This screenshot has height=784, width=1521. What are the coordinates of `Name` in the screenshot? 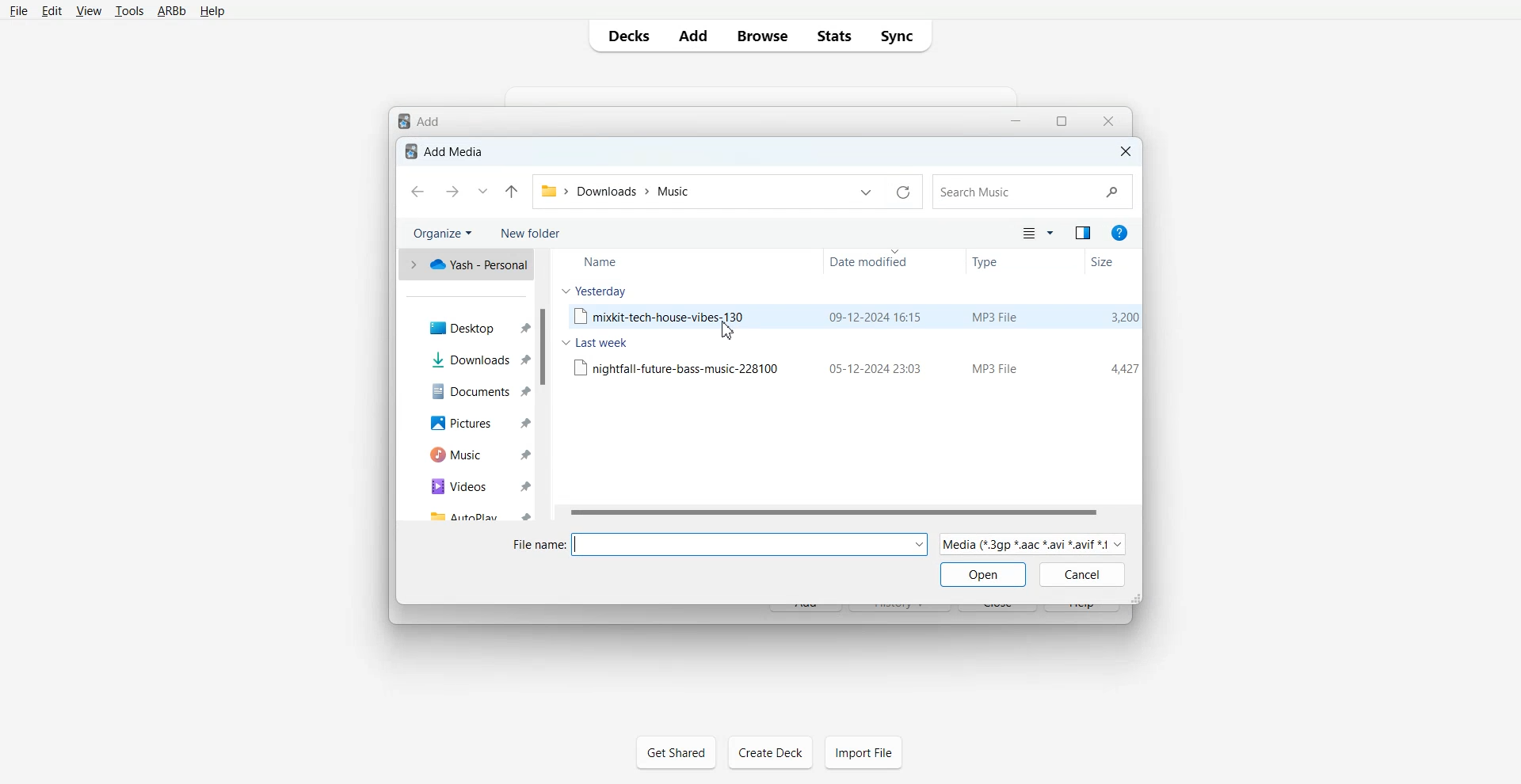 It's located at (608, 262).